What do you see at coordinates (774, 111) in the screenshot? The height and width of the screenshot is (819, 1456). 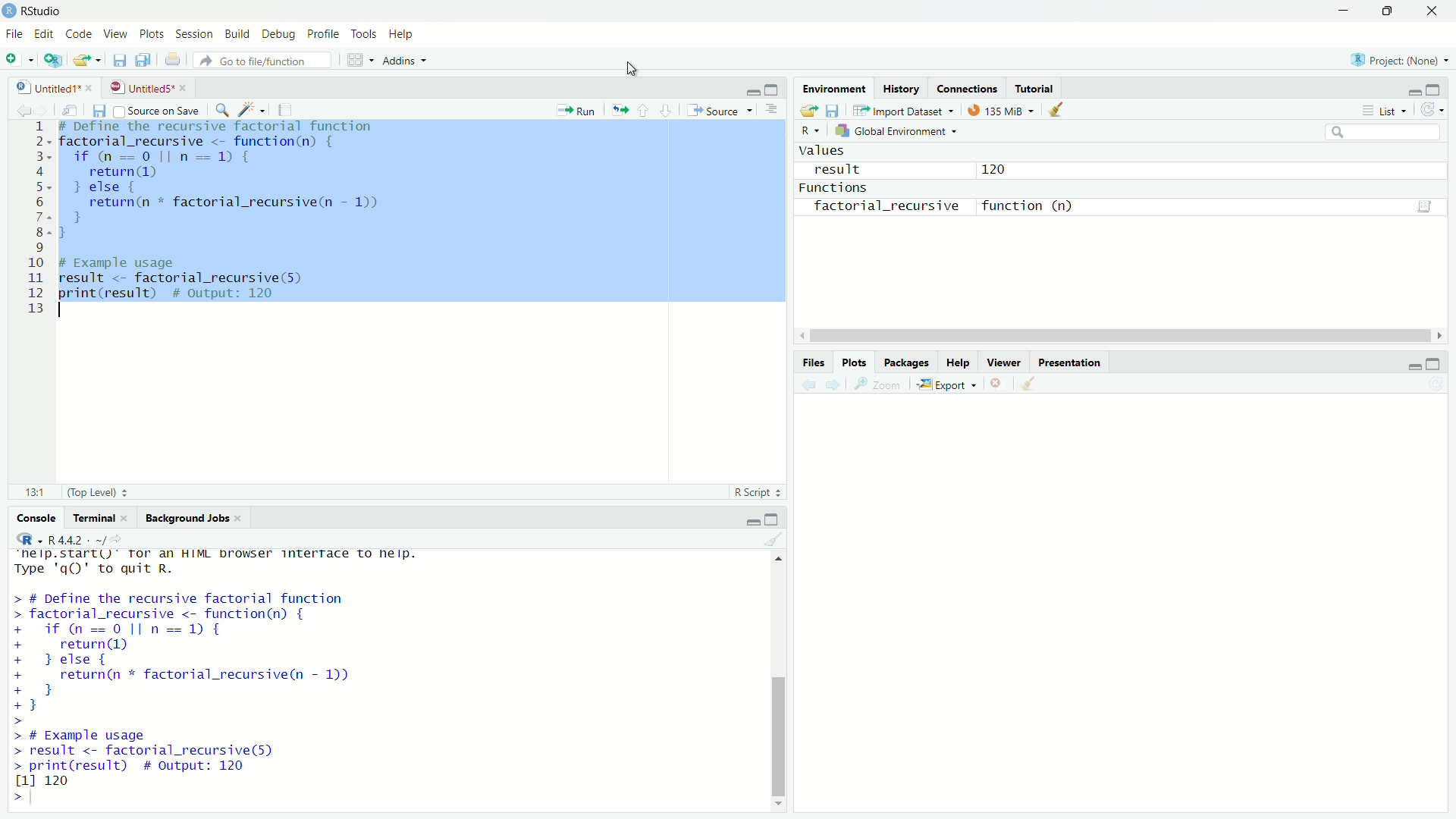 I see `Show document outline (Ctrl + Shift + O)` at bounding box center [774, 111].